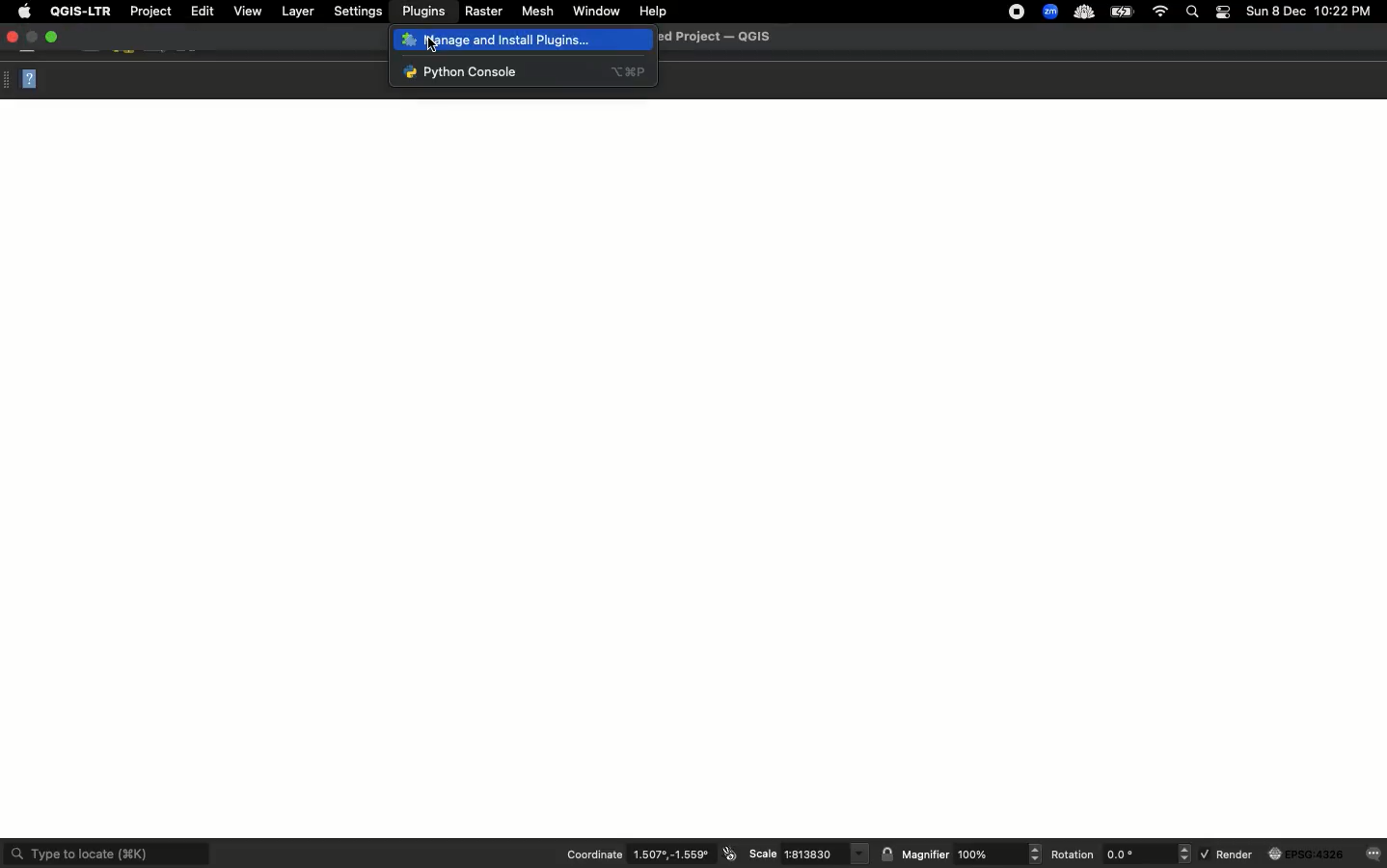 The height and width of the screenshot is (868, 1387). Describe the element at coordinates (150, 13) in the screenshot. I see `Project` at that location.